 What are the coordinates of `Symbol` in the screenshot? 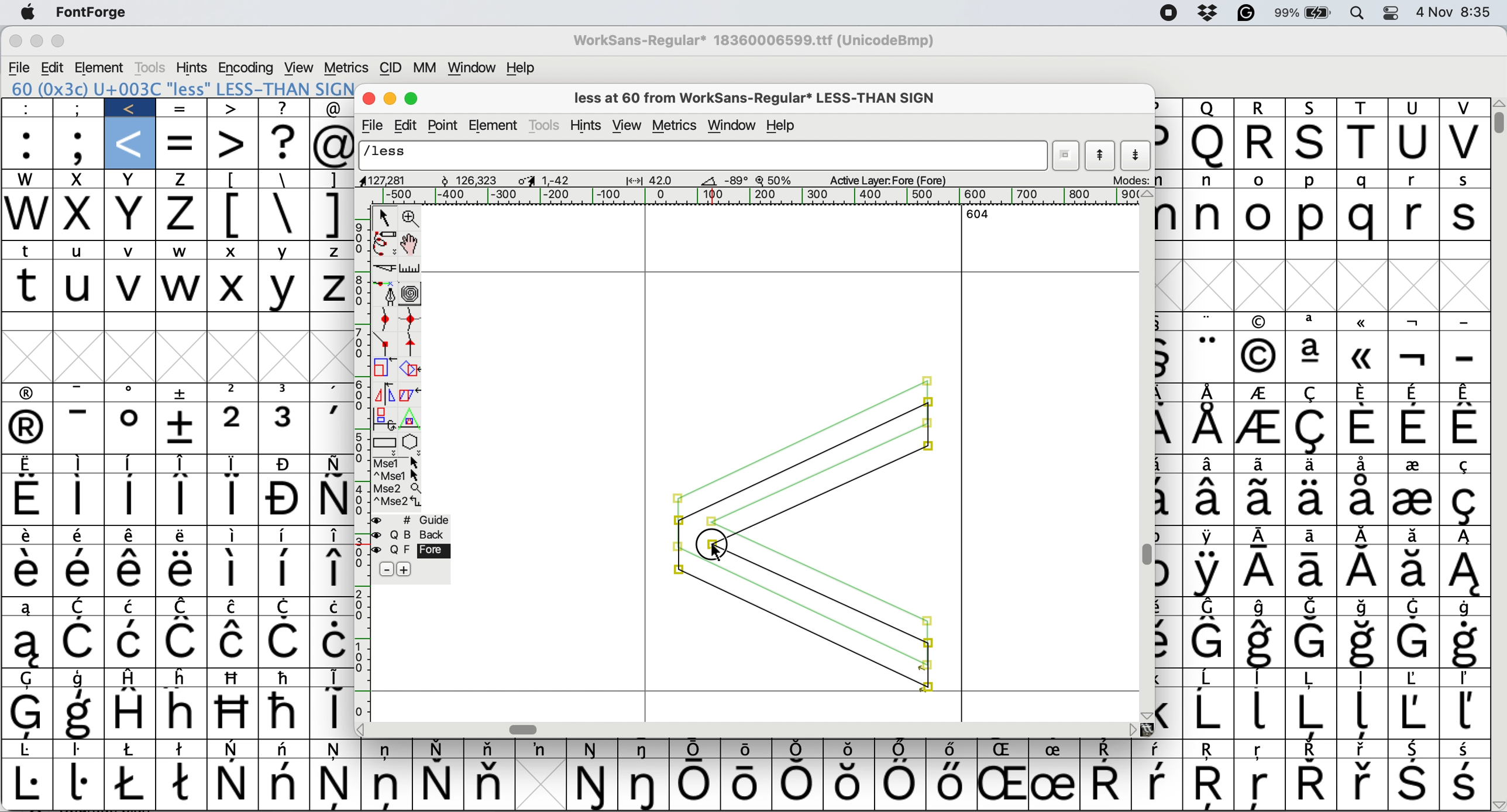 It's located at (288, 607).